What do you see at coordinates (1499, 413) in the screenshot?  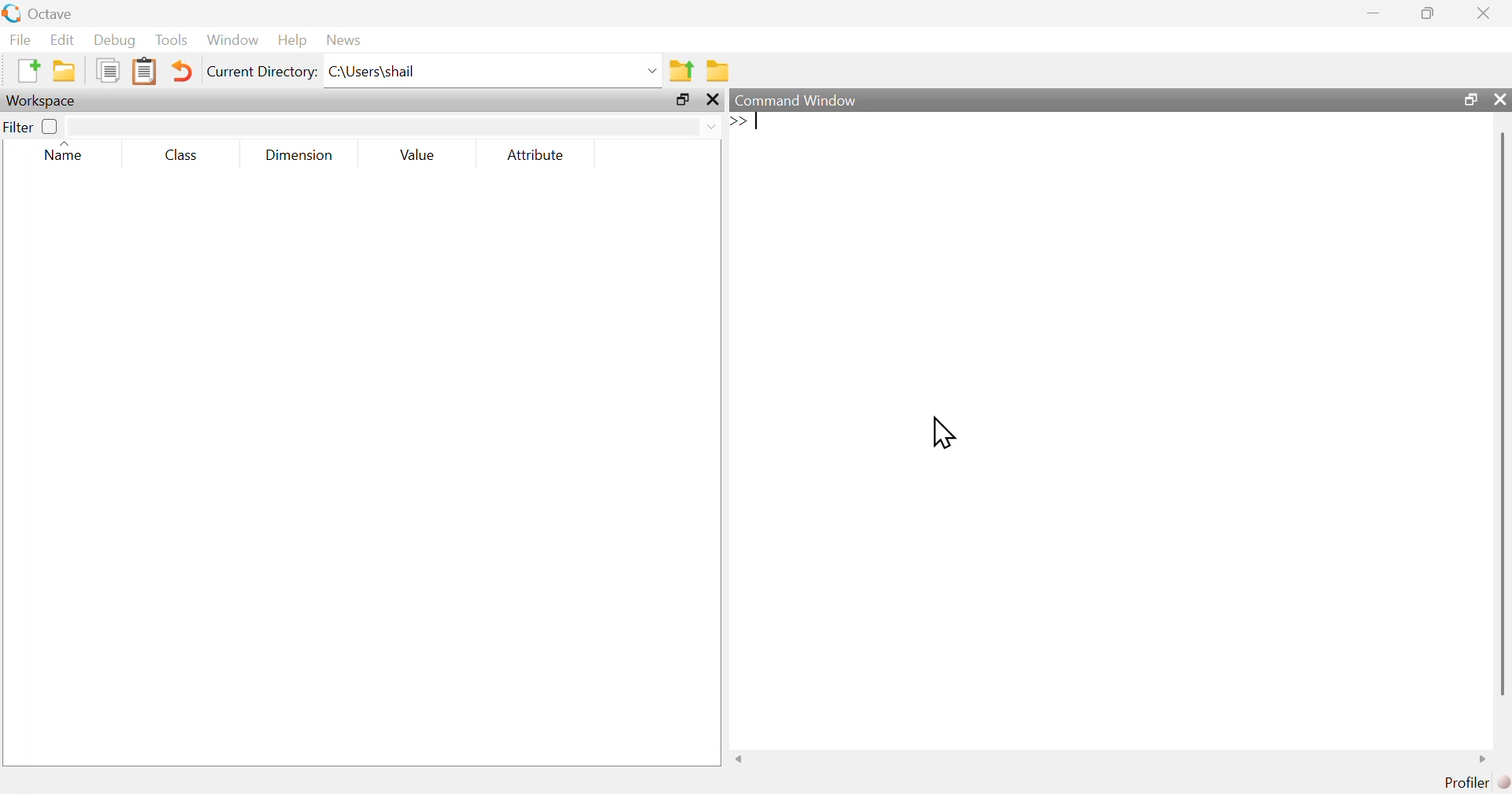 I see `scroll bar` at bounding box center [1499, 413].